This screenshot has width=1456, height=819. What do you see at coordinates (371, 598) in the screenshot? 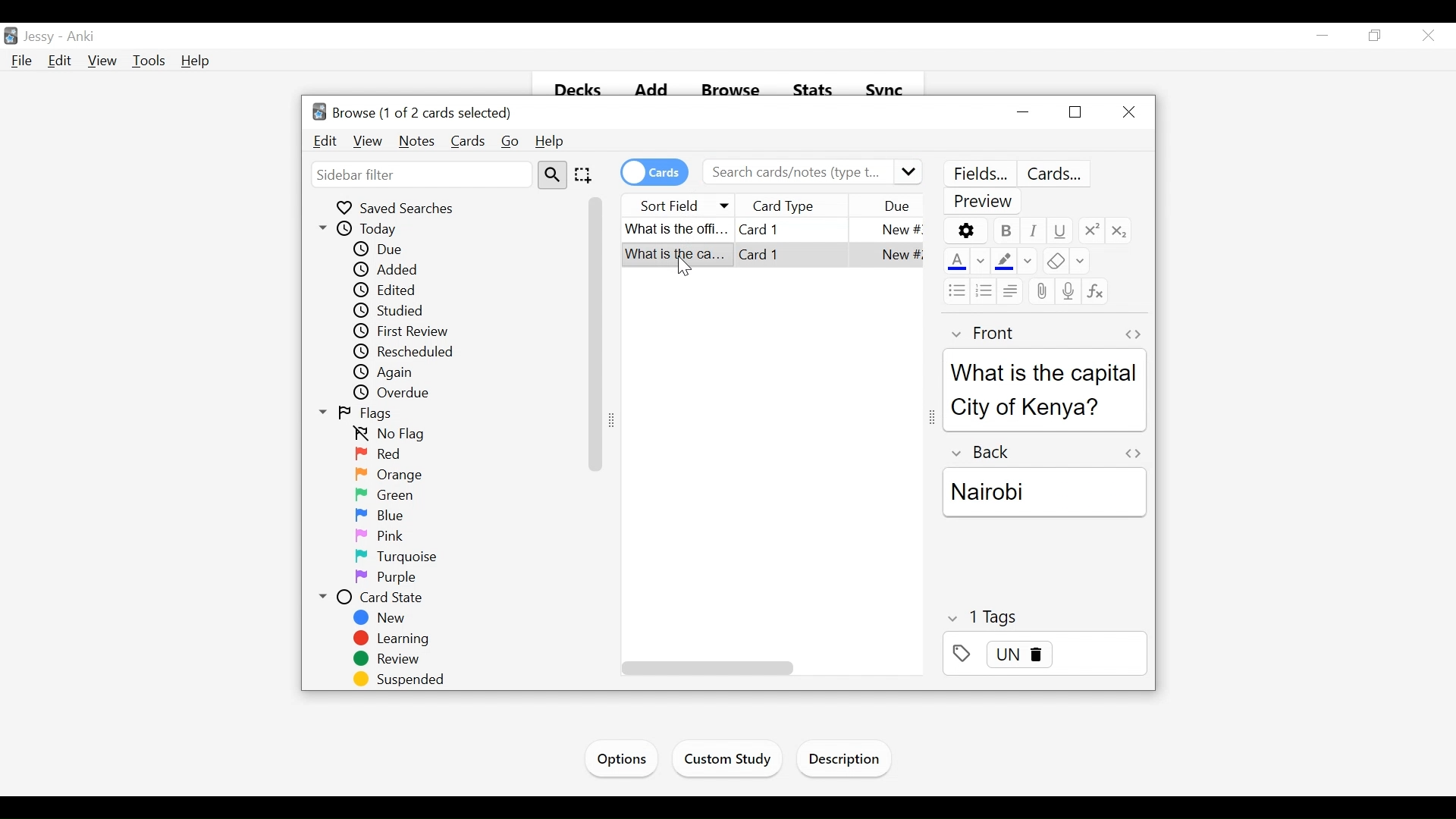
I see `Card State` at bounding box center [371, 598].